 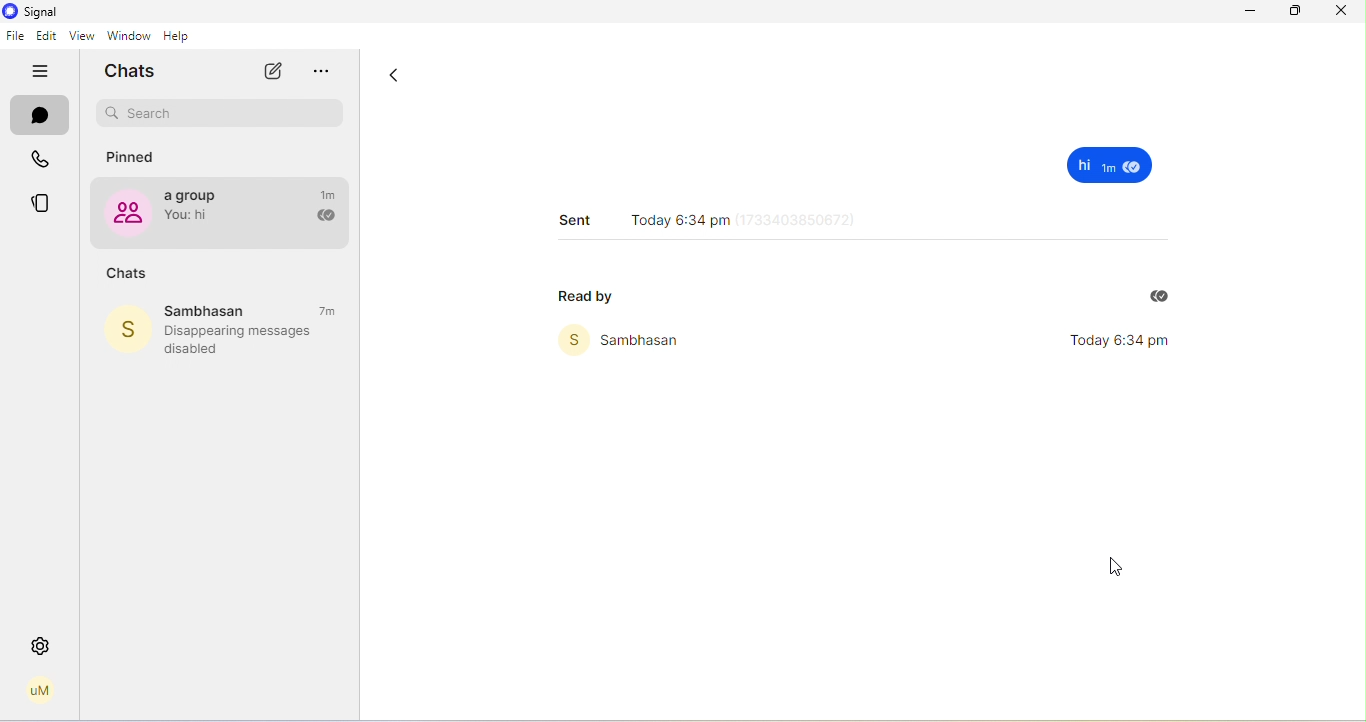 What do you see at coordinates (128, 36) in the screenshot?
I see `window` at bounding box center [128, 36].